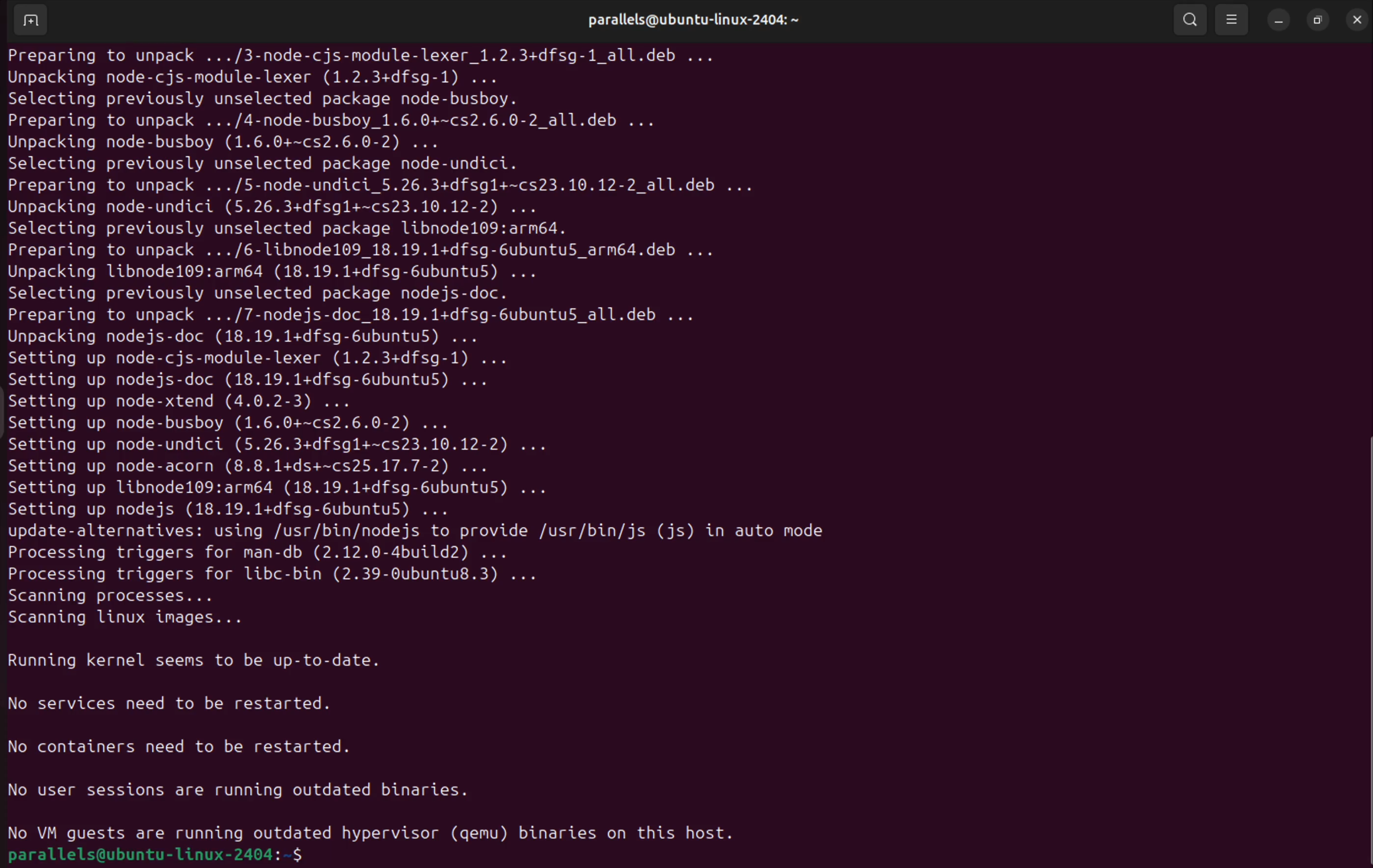 The width and height of the screenshot is (1373, 868). What do you see at coordinates (701, 21) in the screenshot?
I see `parallels@ubuntu-linux-2404: ~` at bounding box center [701, 21].